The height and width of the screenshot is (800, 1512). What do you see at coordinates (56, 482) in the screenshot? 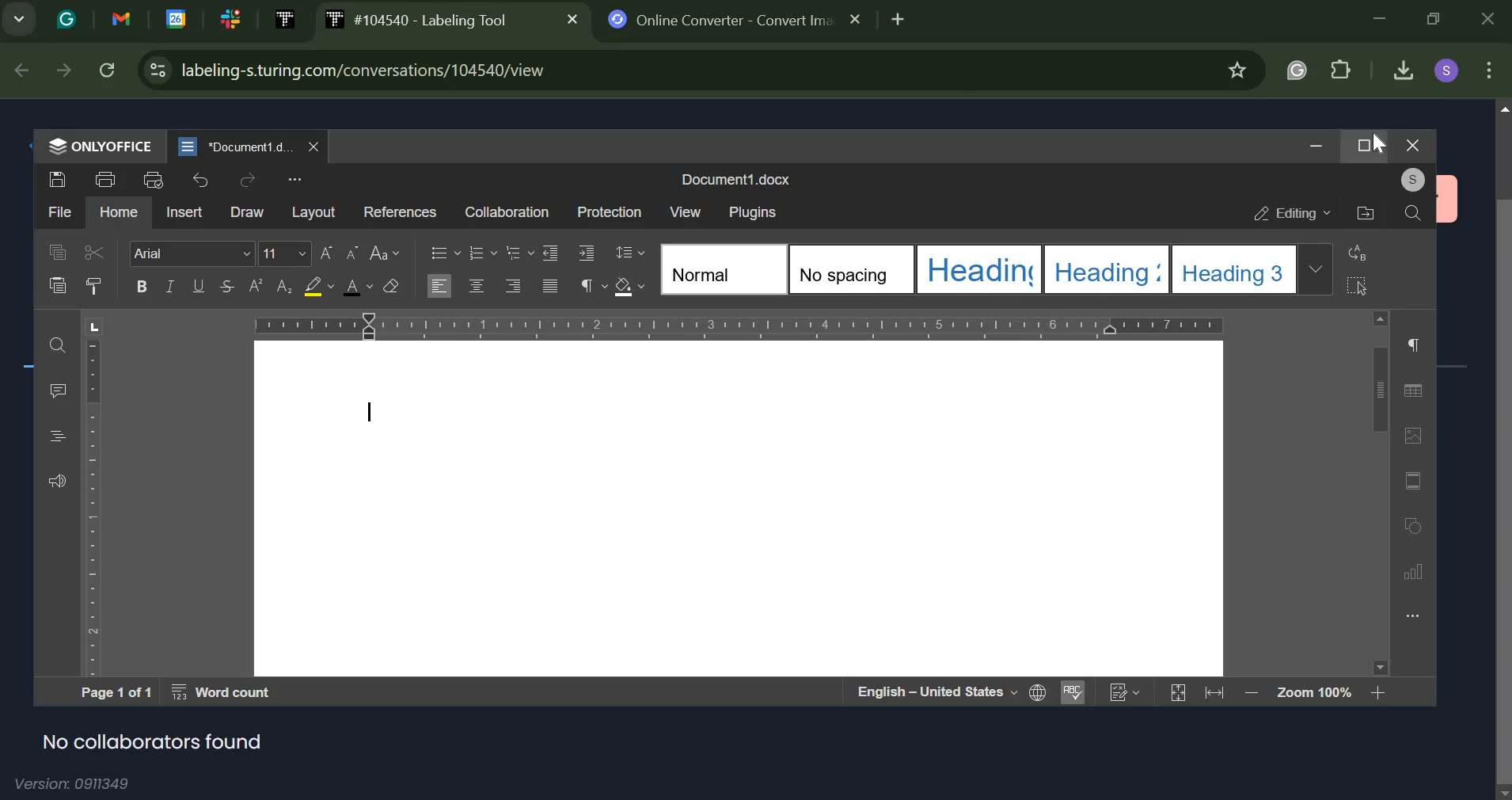
I see `volume` at bounding box center [56, 482].